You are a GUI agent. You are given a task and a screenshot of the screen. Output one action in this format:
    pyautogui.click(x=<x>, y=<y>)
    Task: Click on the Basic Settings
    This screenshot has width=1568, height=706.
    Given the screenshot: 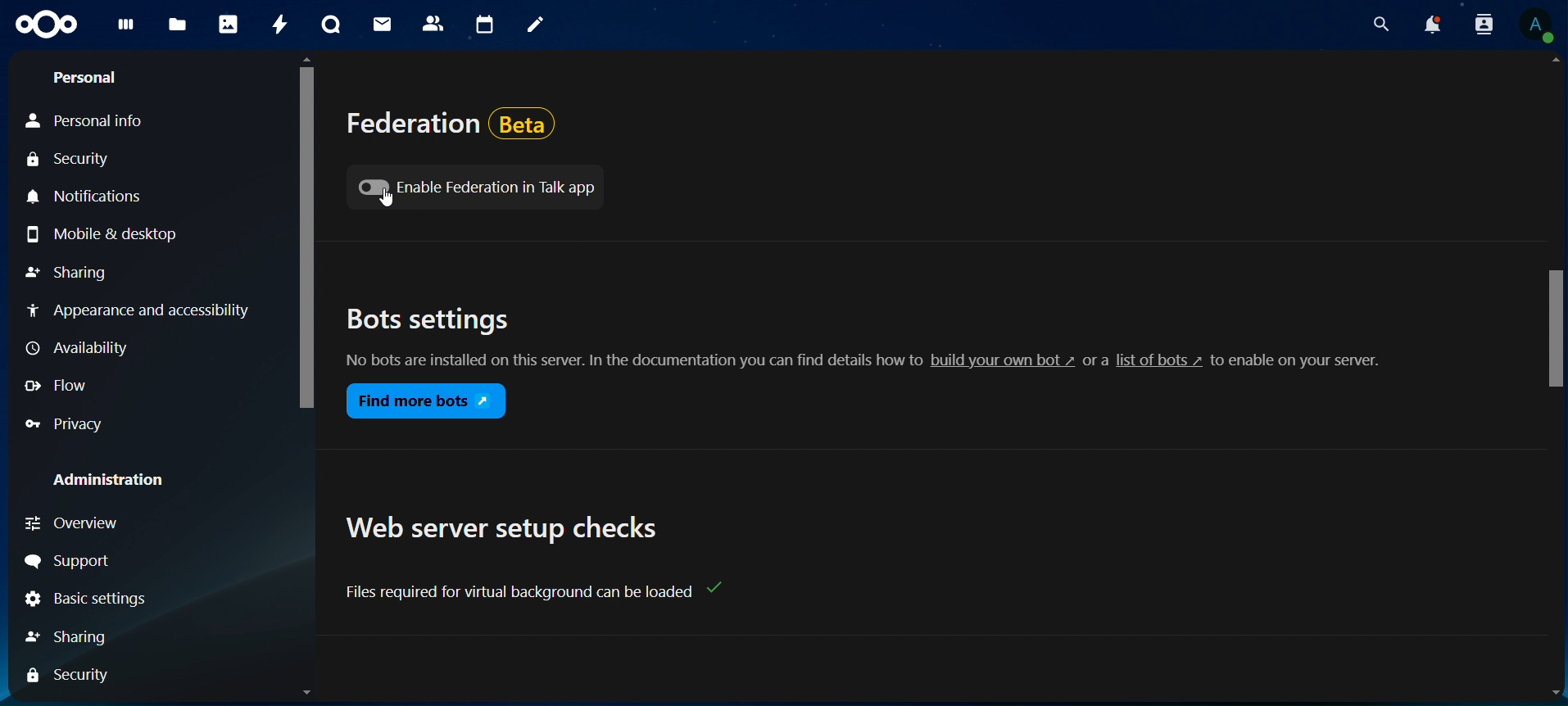 What is the action you would take?
    pyautogui.click(x=84, y=599)
    